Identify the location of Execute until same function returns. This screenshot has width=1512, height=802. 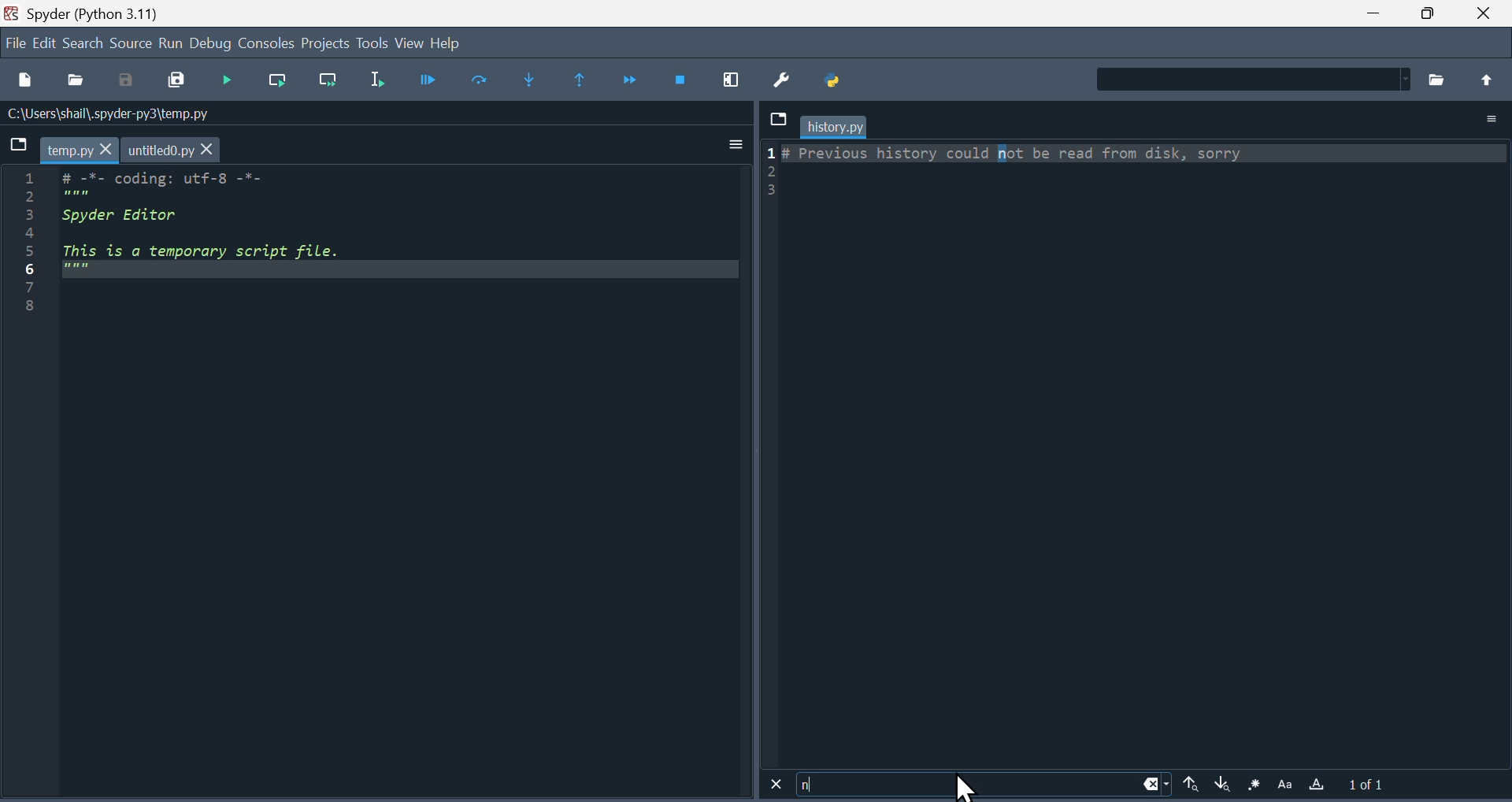
(580, 78).